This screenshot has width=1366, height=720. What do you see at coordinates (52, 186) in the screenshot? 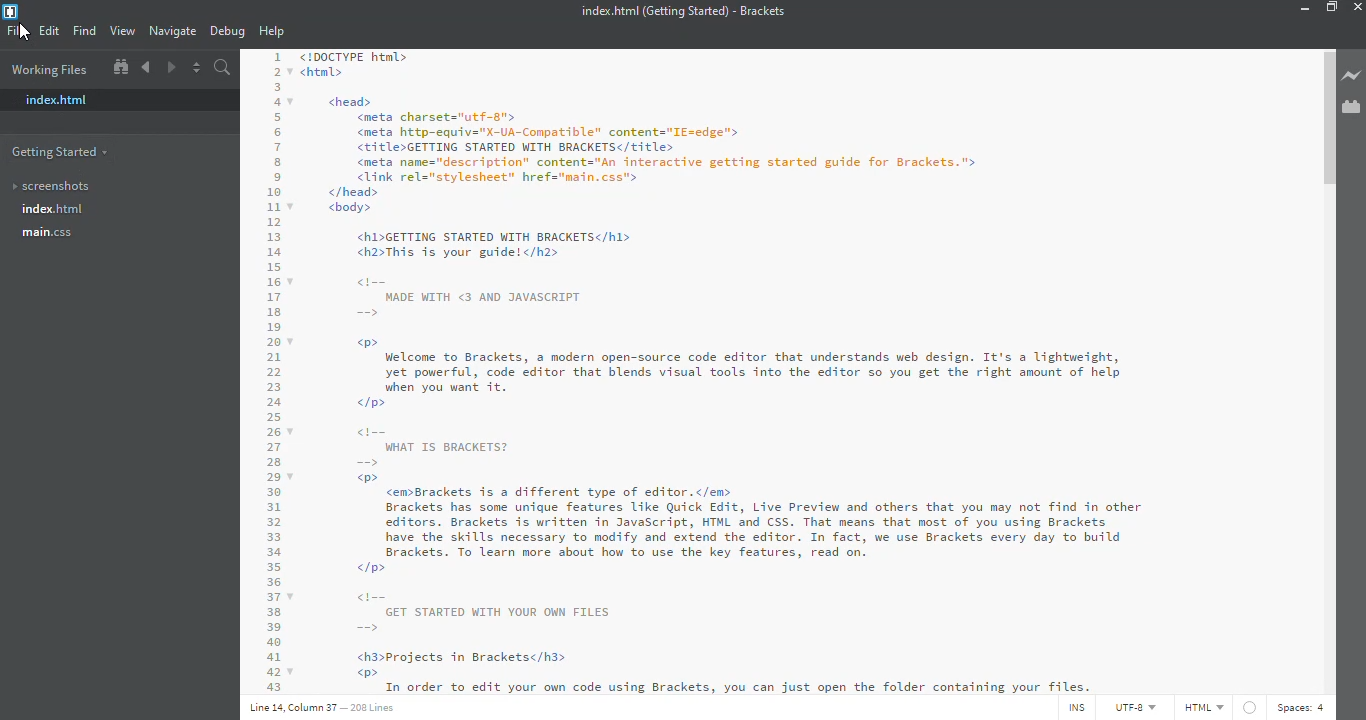
I see `screenshots` at bounding box center [52, 186].